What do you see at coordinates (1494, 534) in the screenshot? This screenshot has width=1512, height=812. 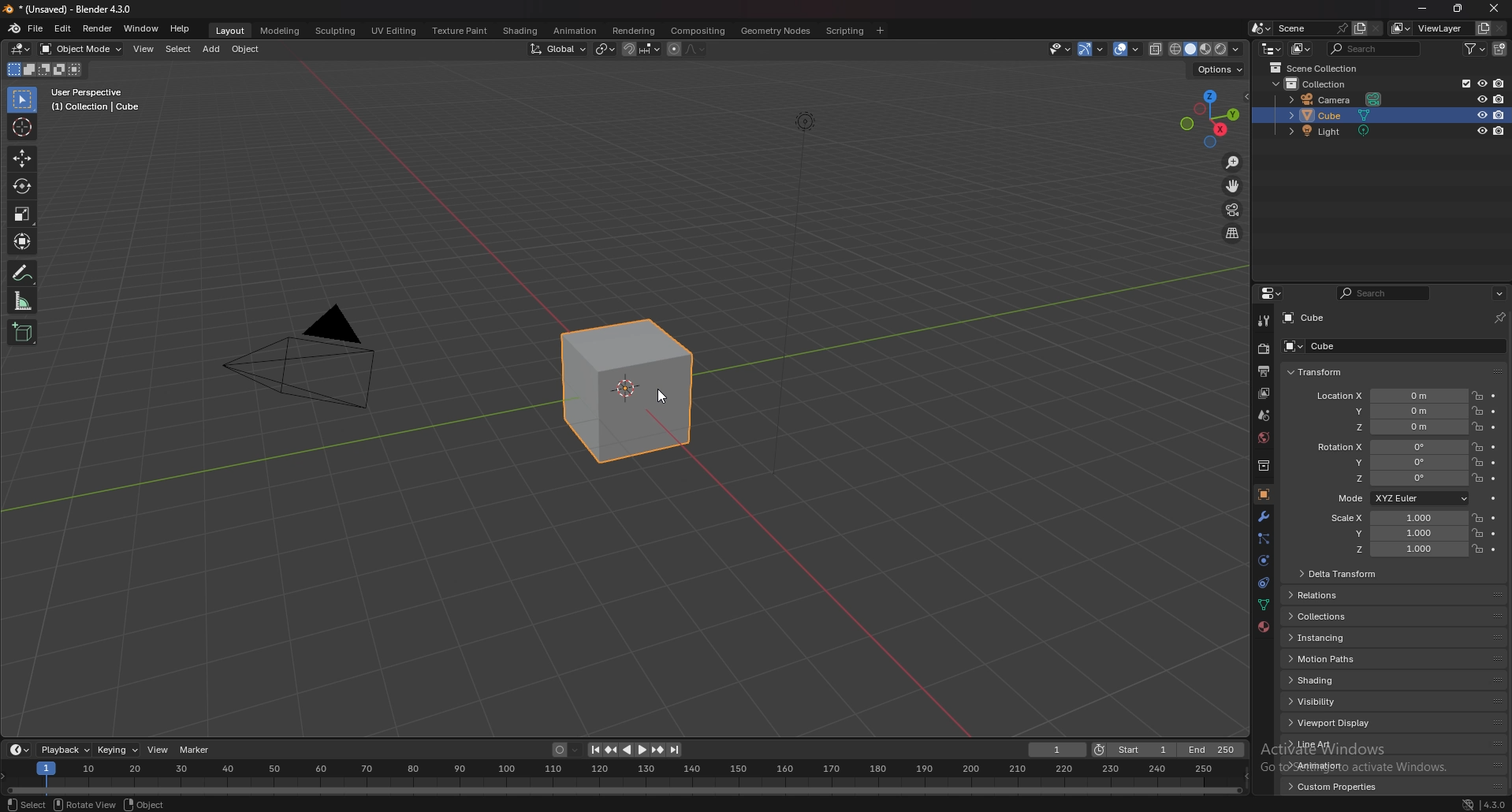 I see `animate property` at bounding box center [1494, 534].